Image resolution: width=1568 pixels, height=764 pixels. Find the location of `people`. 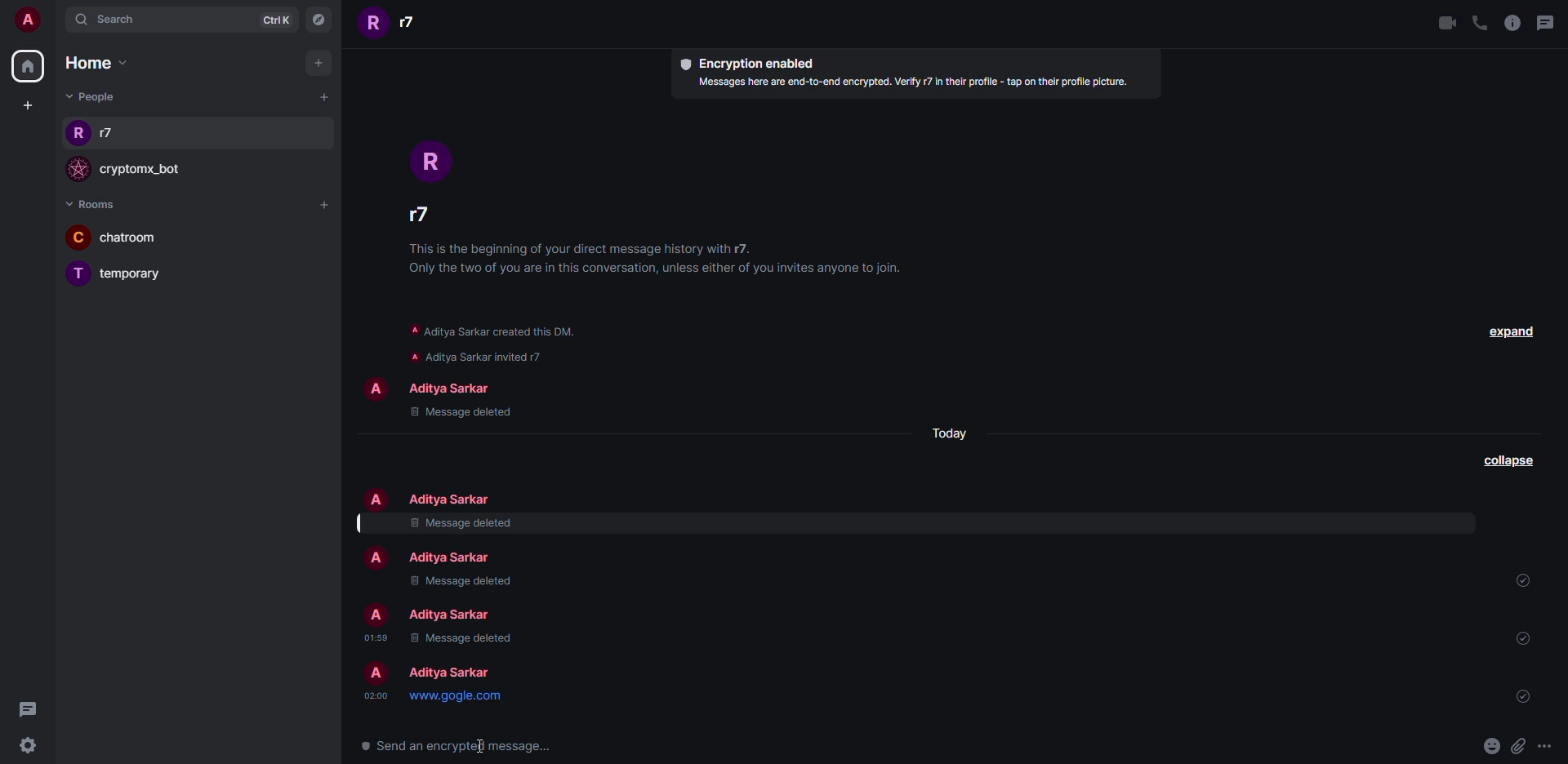

people is located at coordinates (91, 97).